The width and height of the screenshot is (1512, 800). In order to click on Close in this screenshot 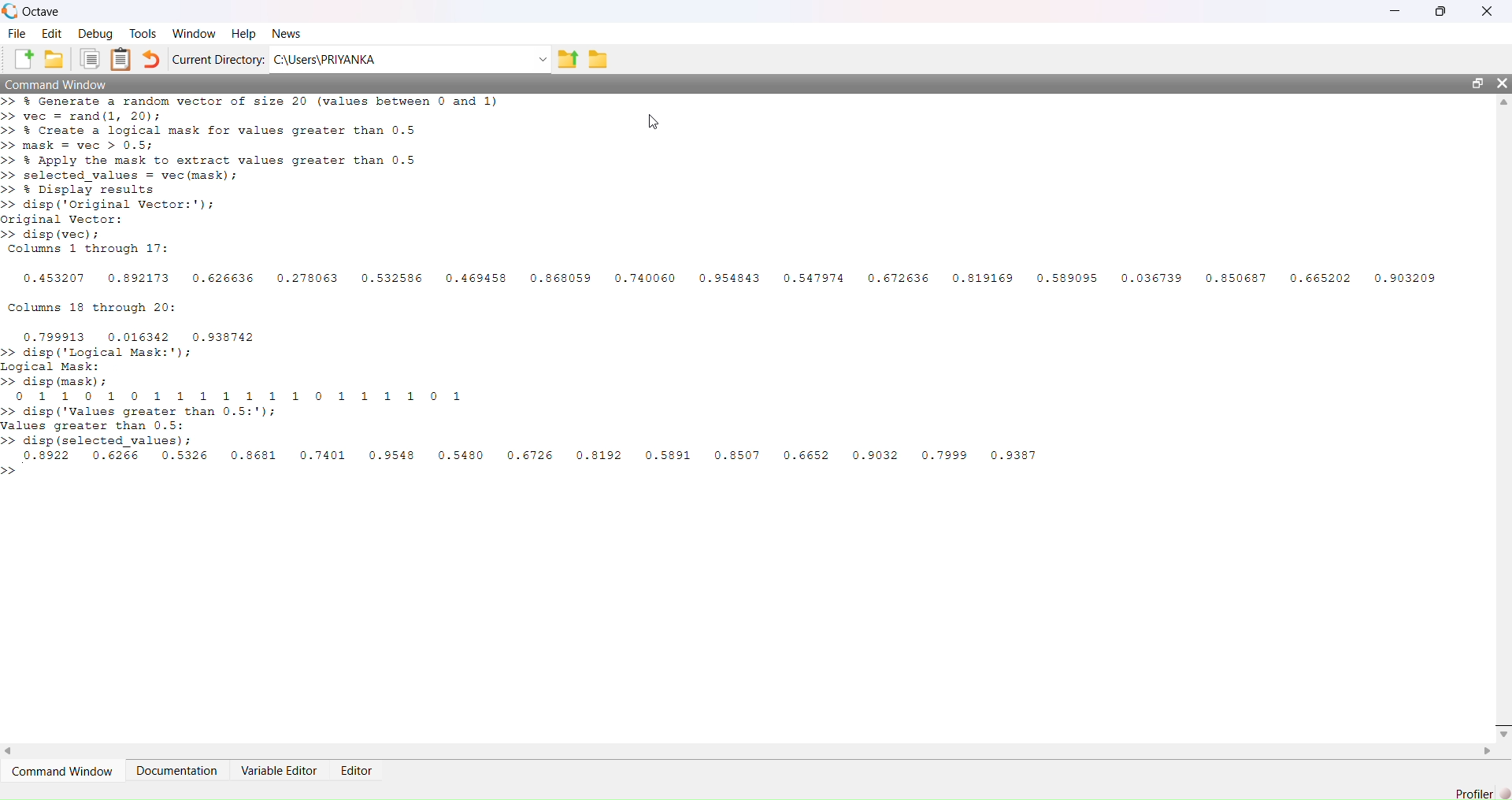, I will do `click(1488, 12)`.